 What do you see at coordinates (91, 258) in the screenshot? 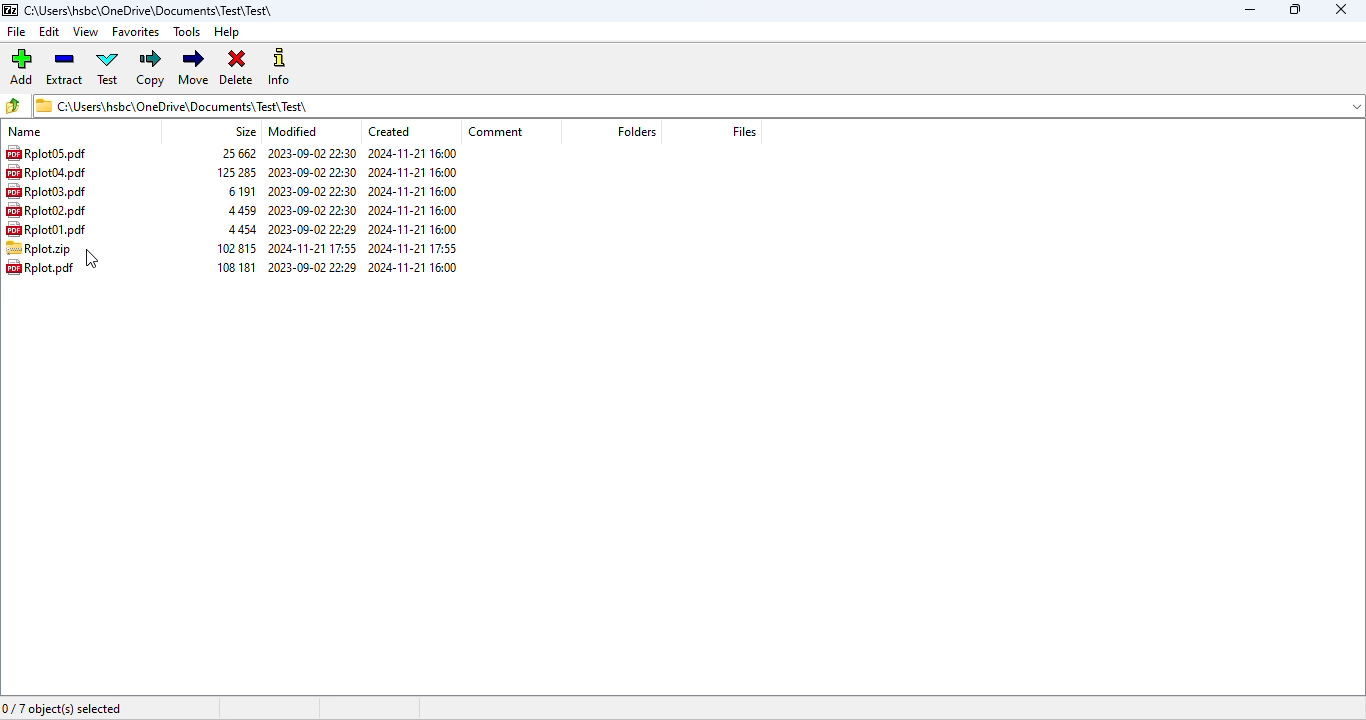
I see `cursor` at bounding box center [91, 258].